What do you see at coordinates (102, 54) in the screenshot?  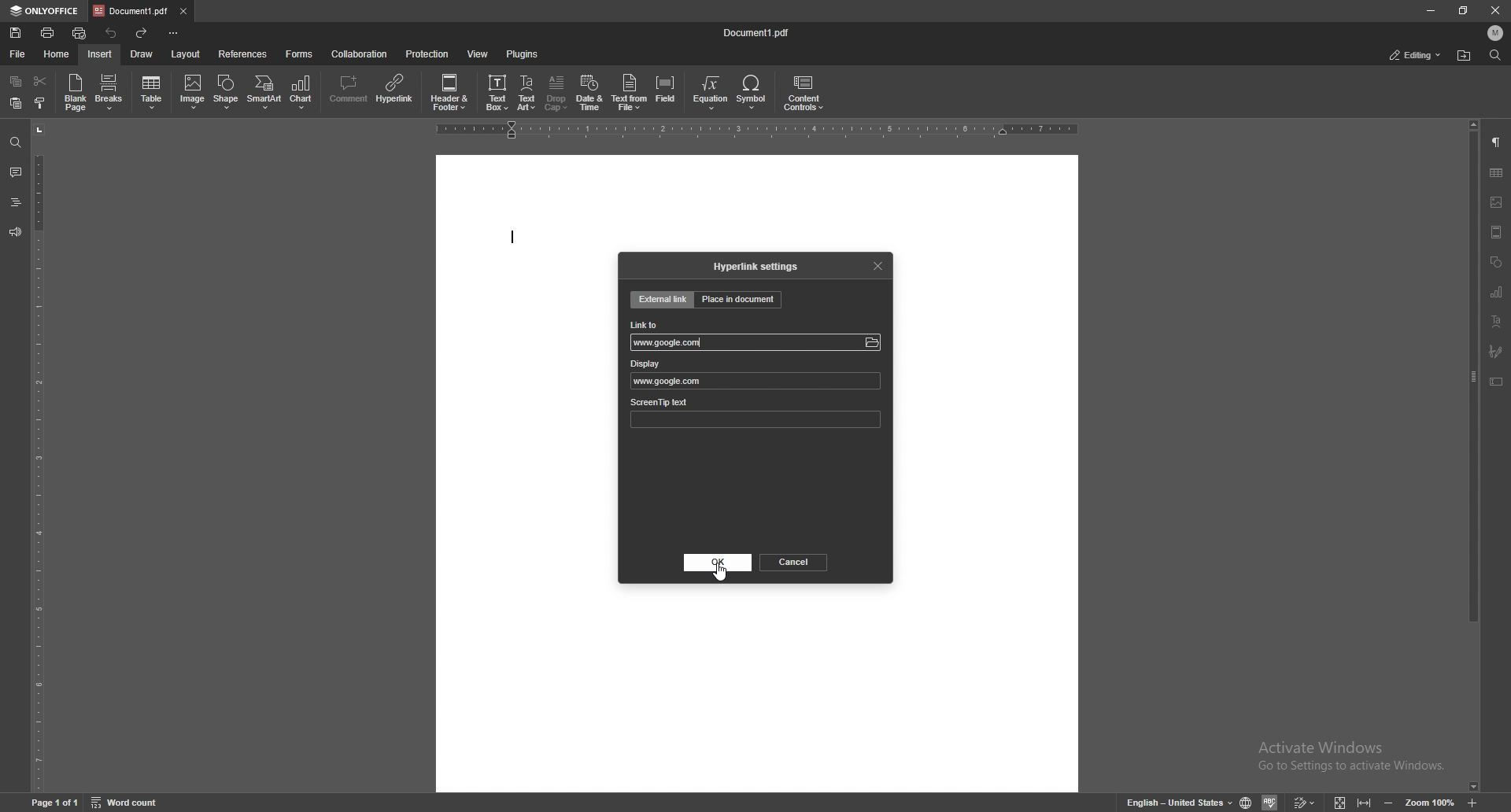 I see `insert` at bounding box center [102, 54].